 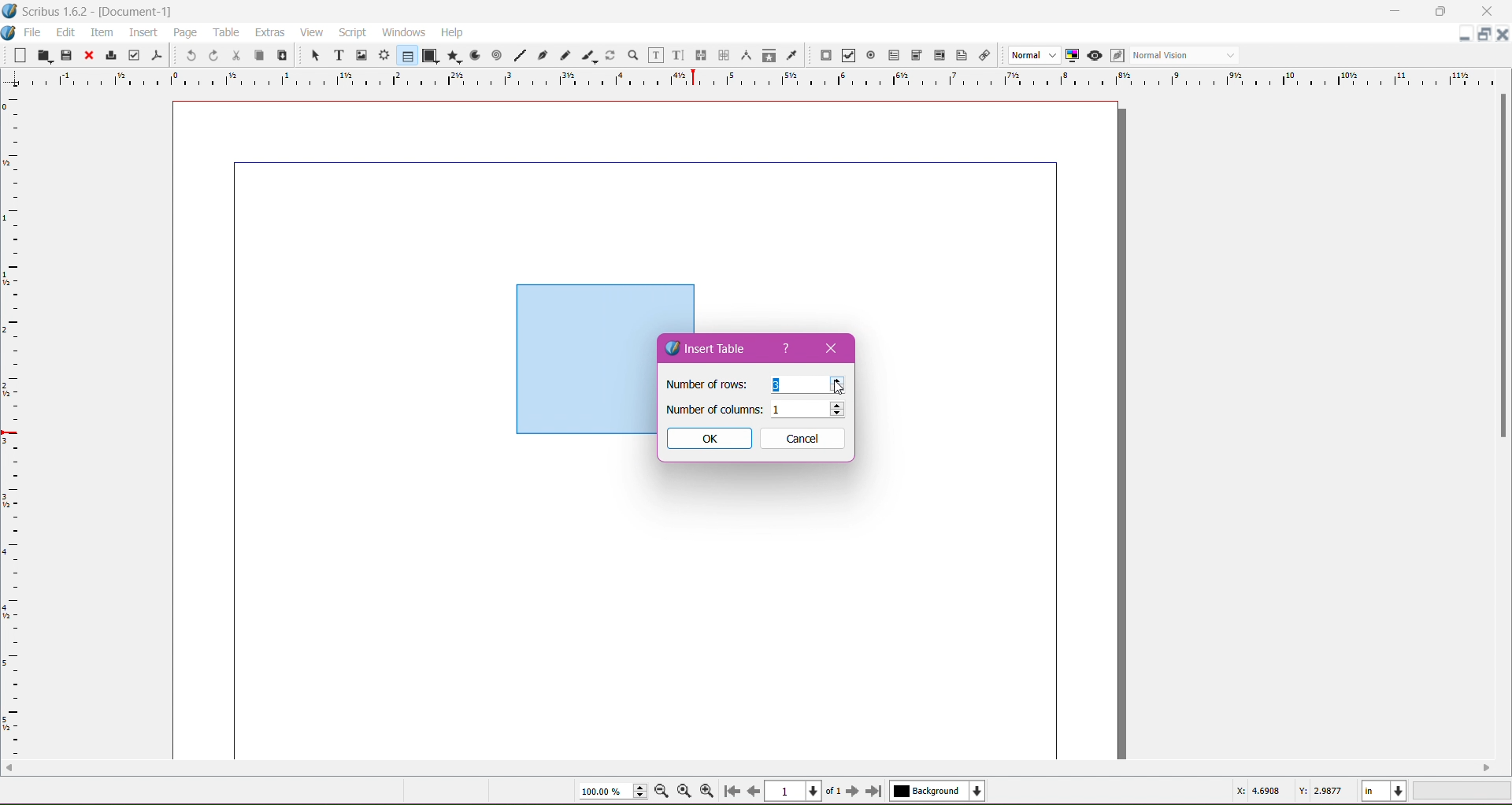 I want to click on Last Page, so click(x=877, y=792).